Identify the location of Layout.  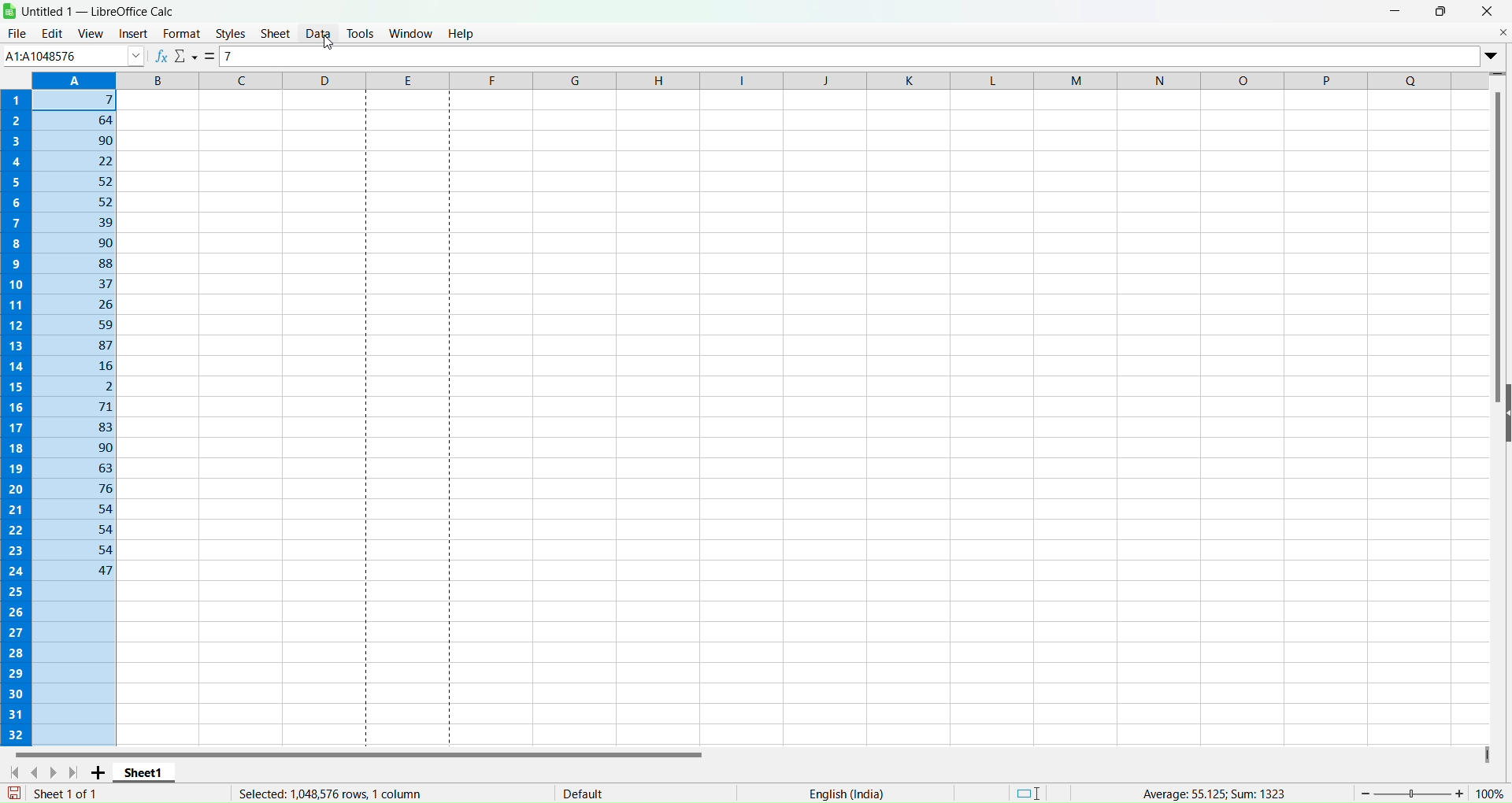
(1029, 791).